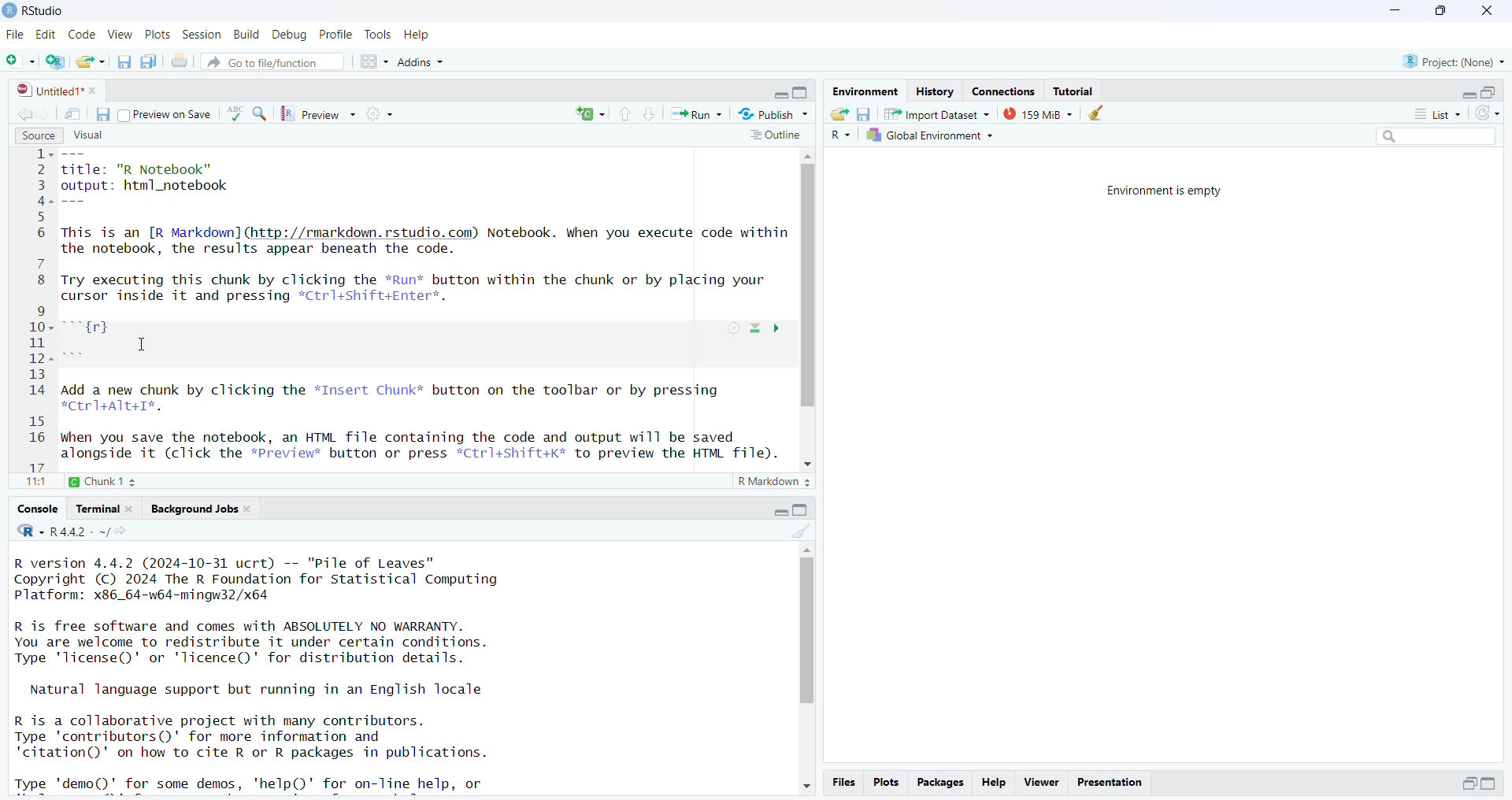  Describe the element at coordinates (272, 61) in the screenshot. I see `go to file/function` at that location.